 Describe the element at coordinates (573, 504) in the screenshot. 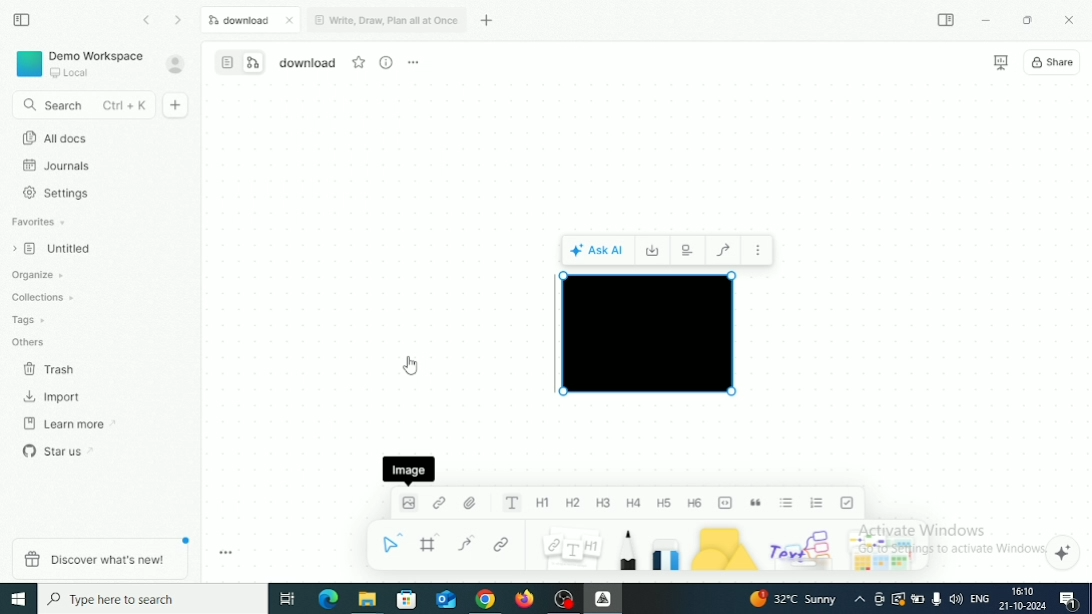

I see `Heading 2` at that location.